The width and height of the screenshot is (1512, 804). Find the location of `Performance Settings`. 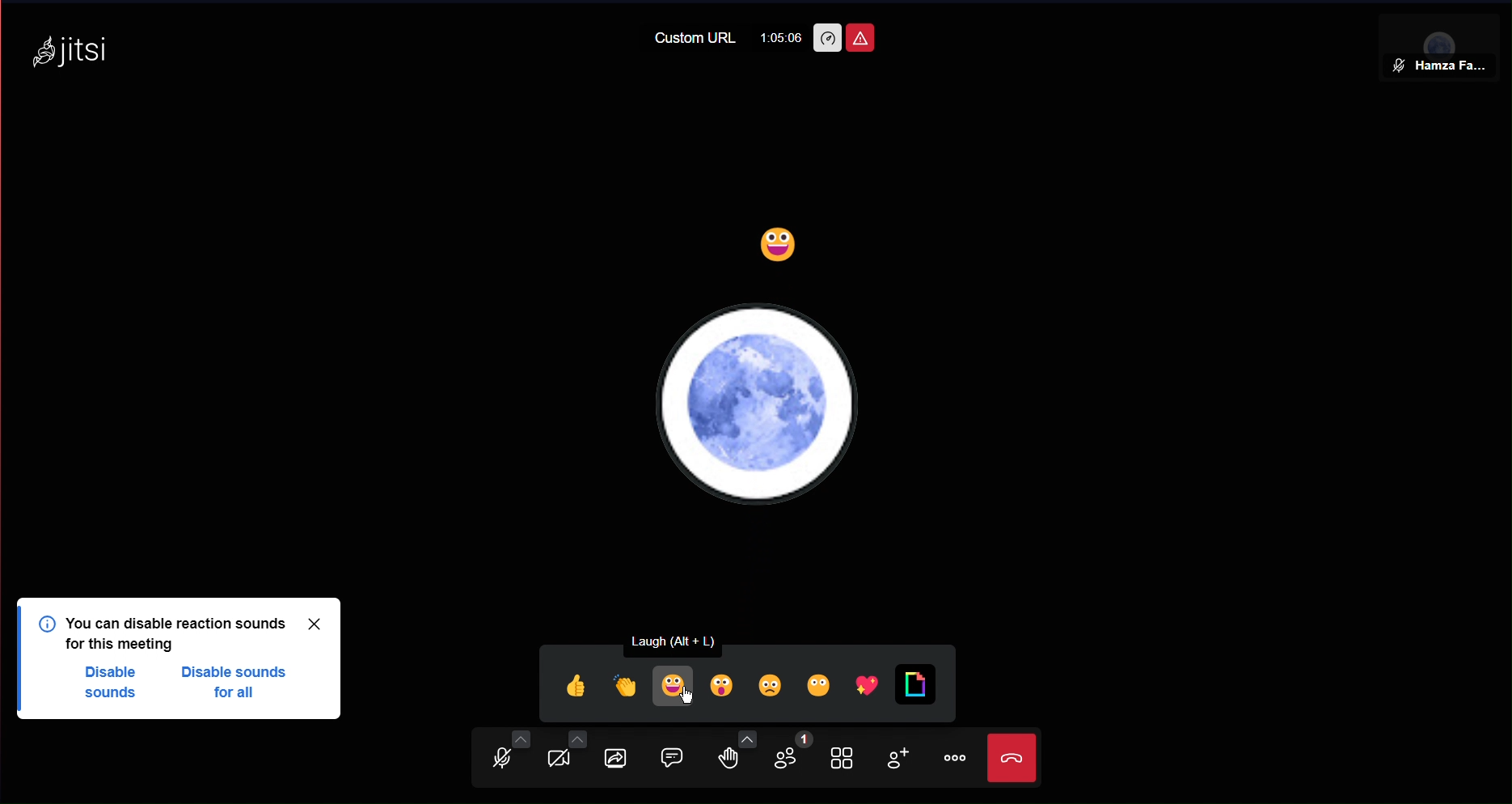

Performance Settings is located at coordinates (826, 38).